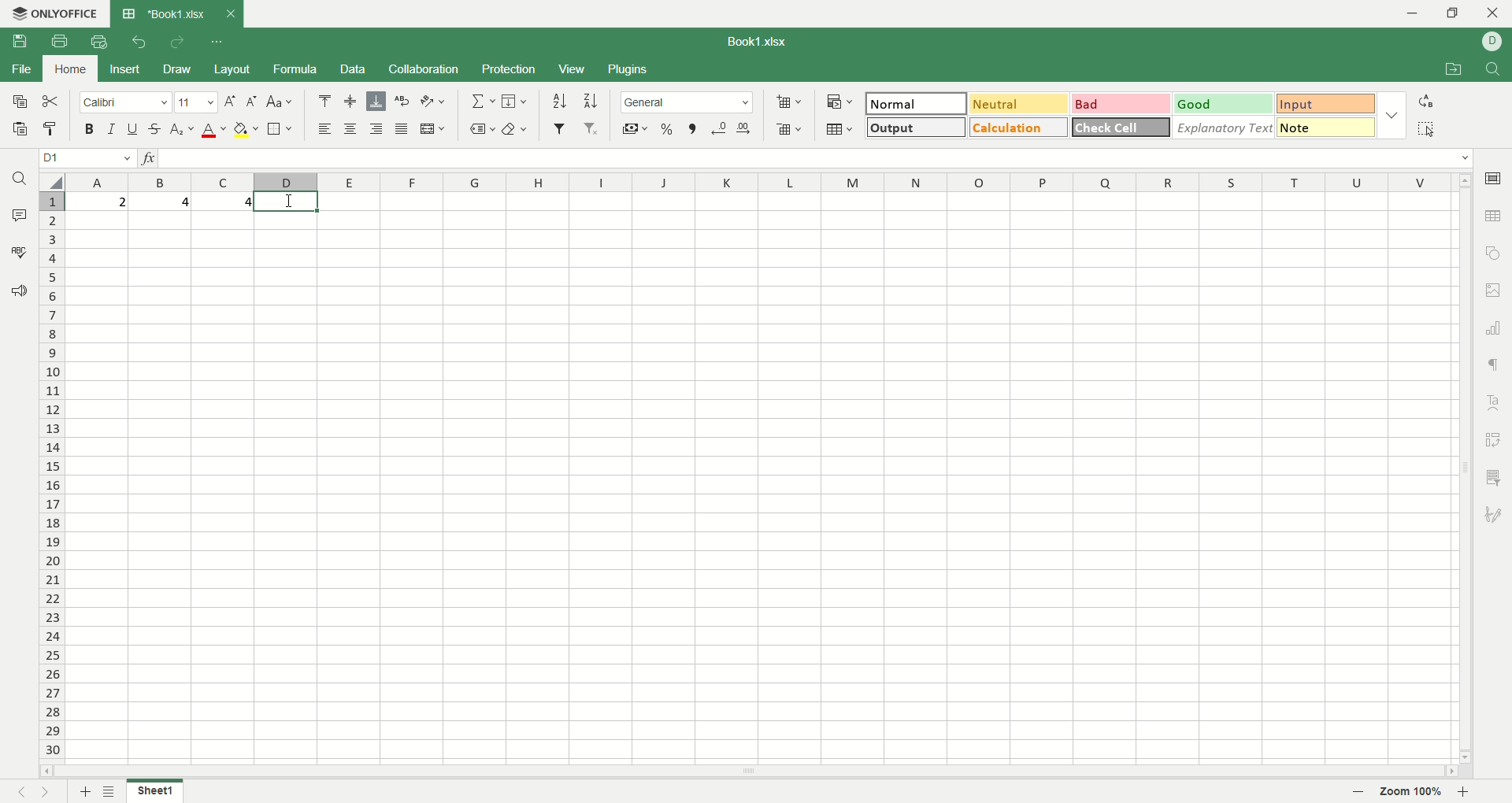 This screenshot has height=803, width=1512. I want to click on strikethrough, so click(155, 130).